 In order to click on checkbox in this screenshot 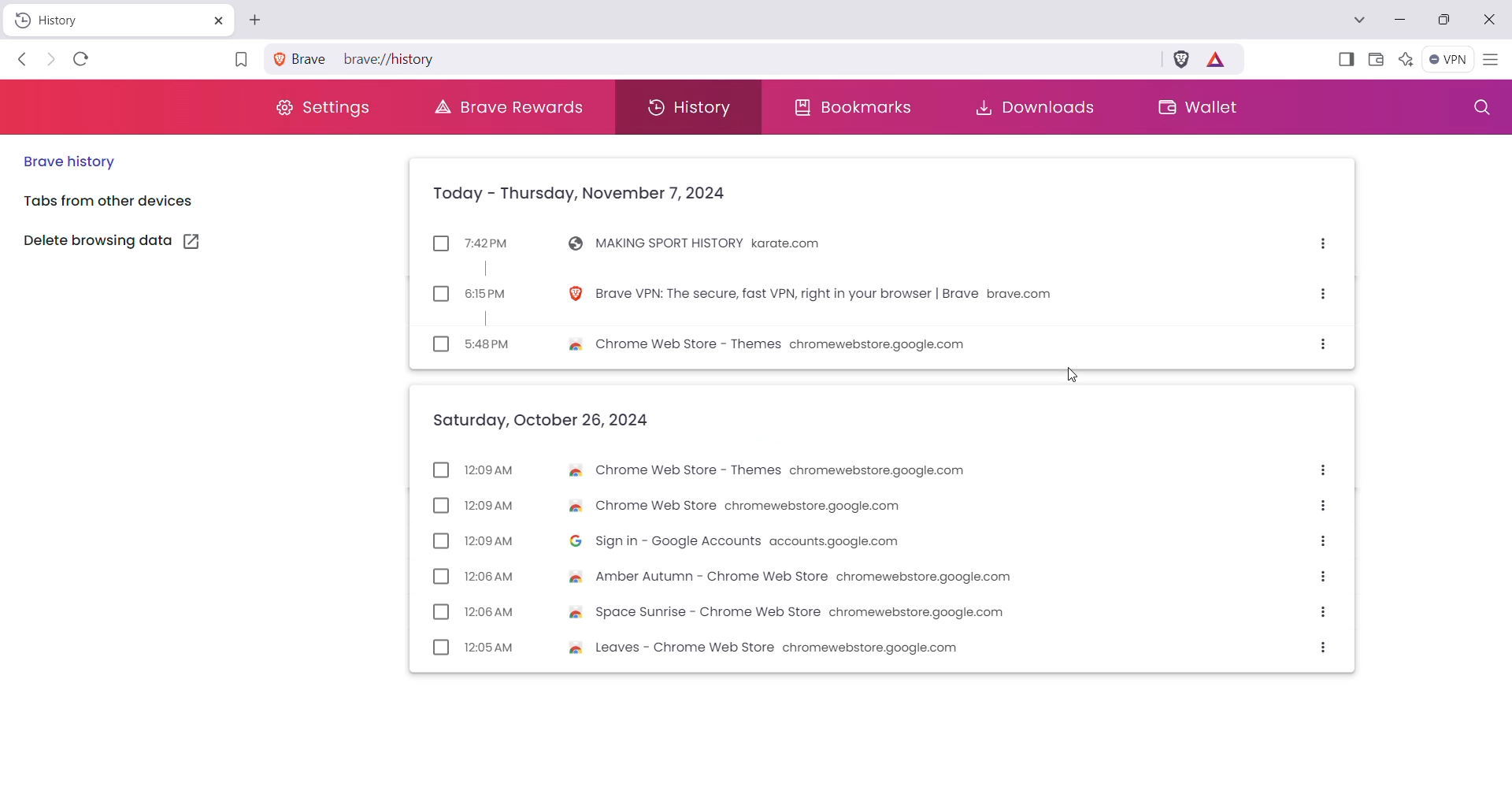, I will do `click(435, 506)`.